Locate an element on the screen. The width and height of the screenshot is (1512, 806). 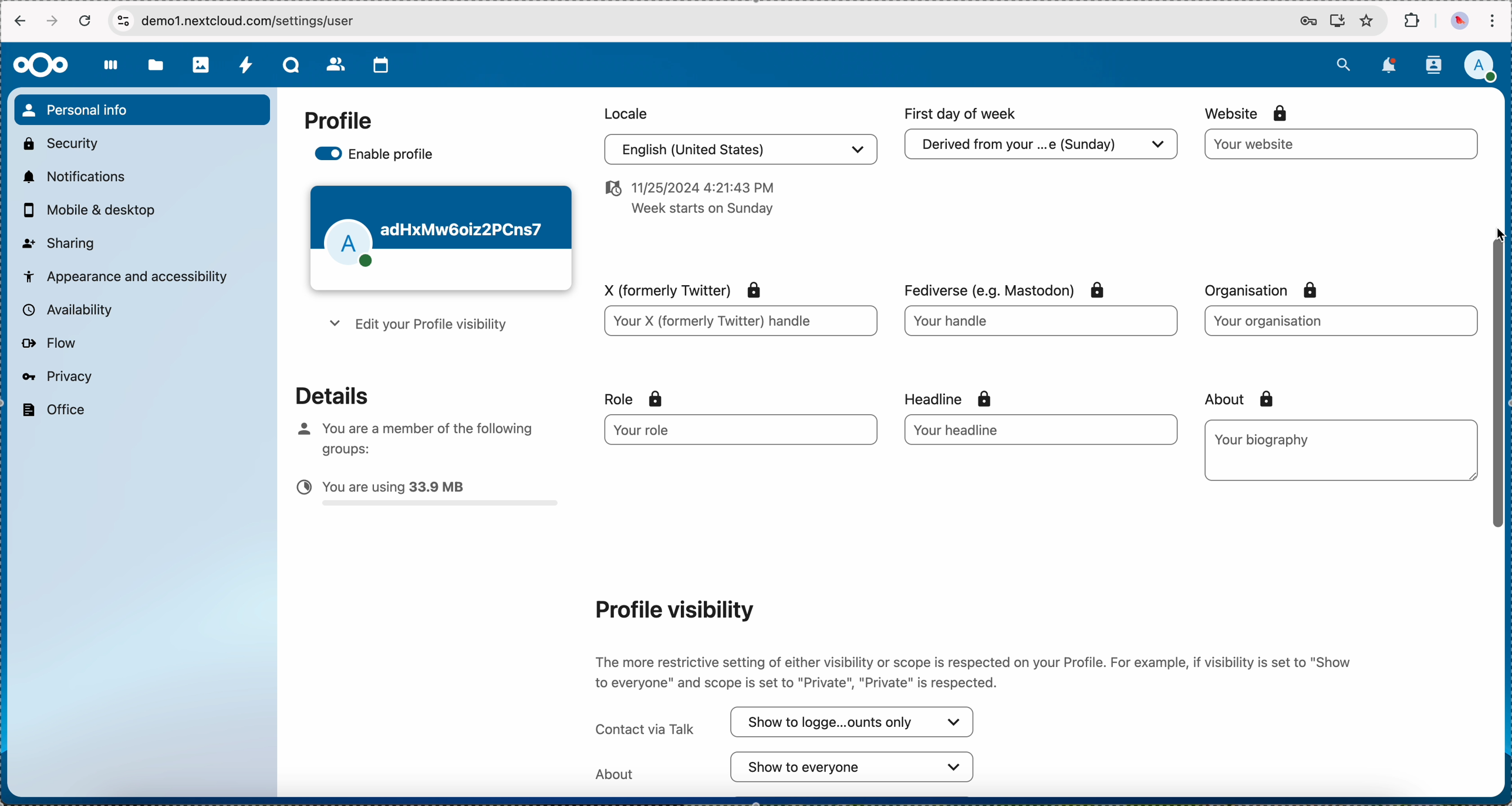
click on user profile is located at coordinates (1484, 67).